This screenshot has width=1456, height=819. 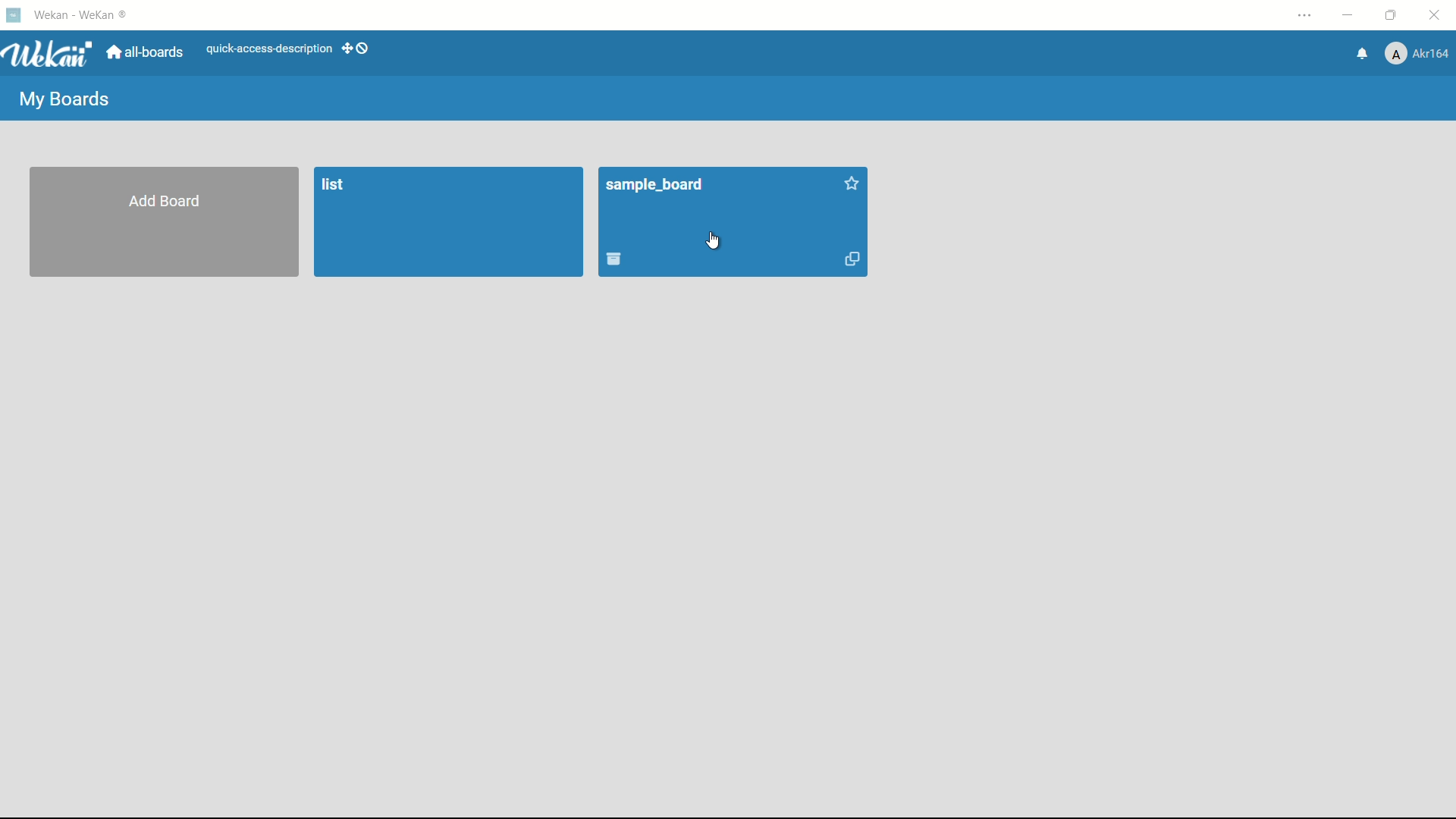 What do you see at coordinates (165, 201) in the screenshot?
I see `add board` at bounding box center [165, 201].